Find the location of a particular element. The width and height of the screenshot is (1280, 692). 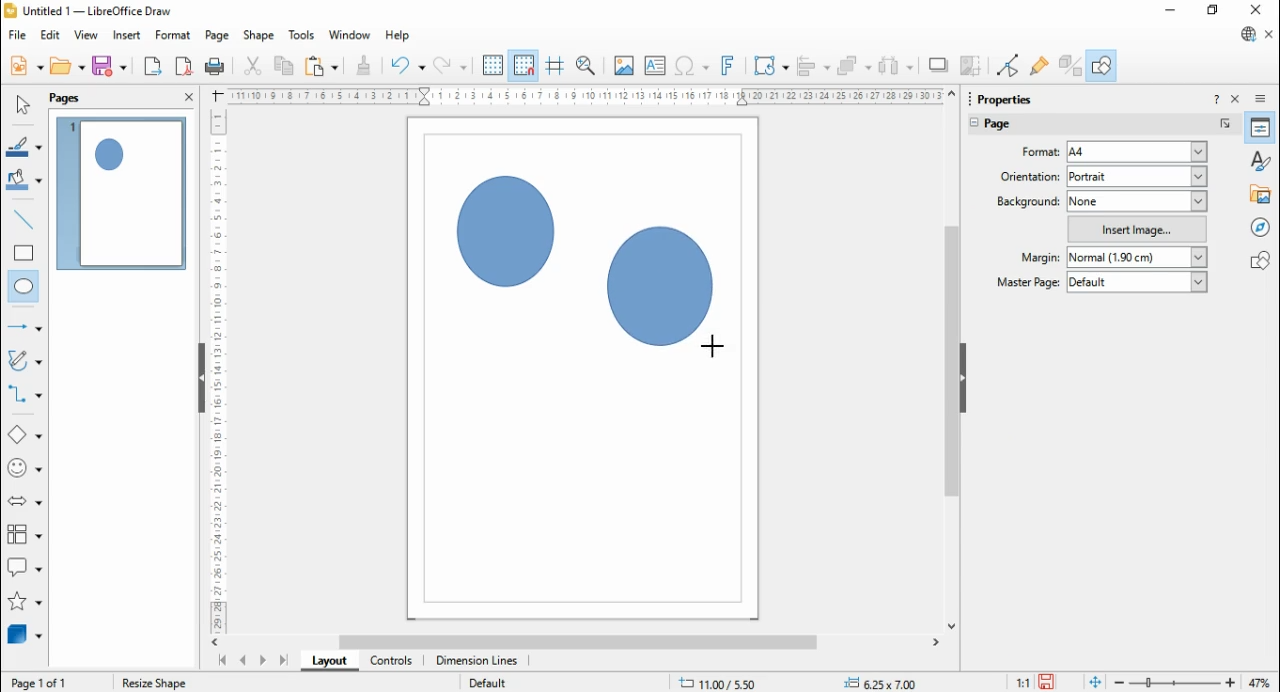

properties is located at coordinates (1014, 97).